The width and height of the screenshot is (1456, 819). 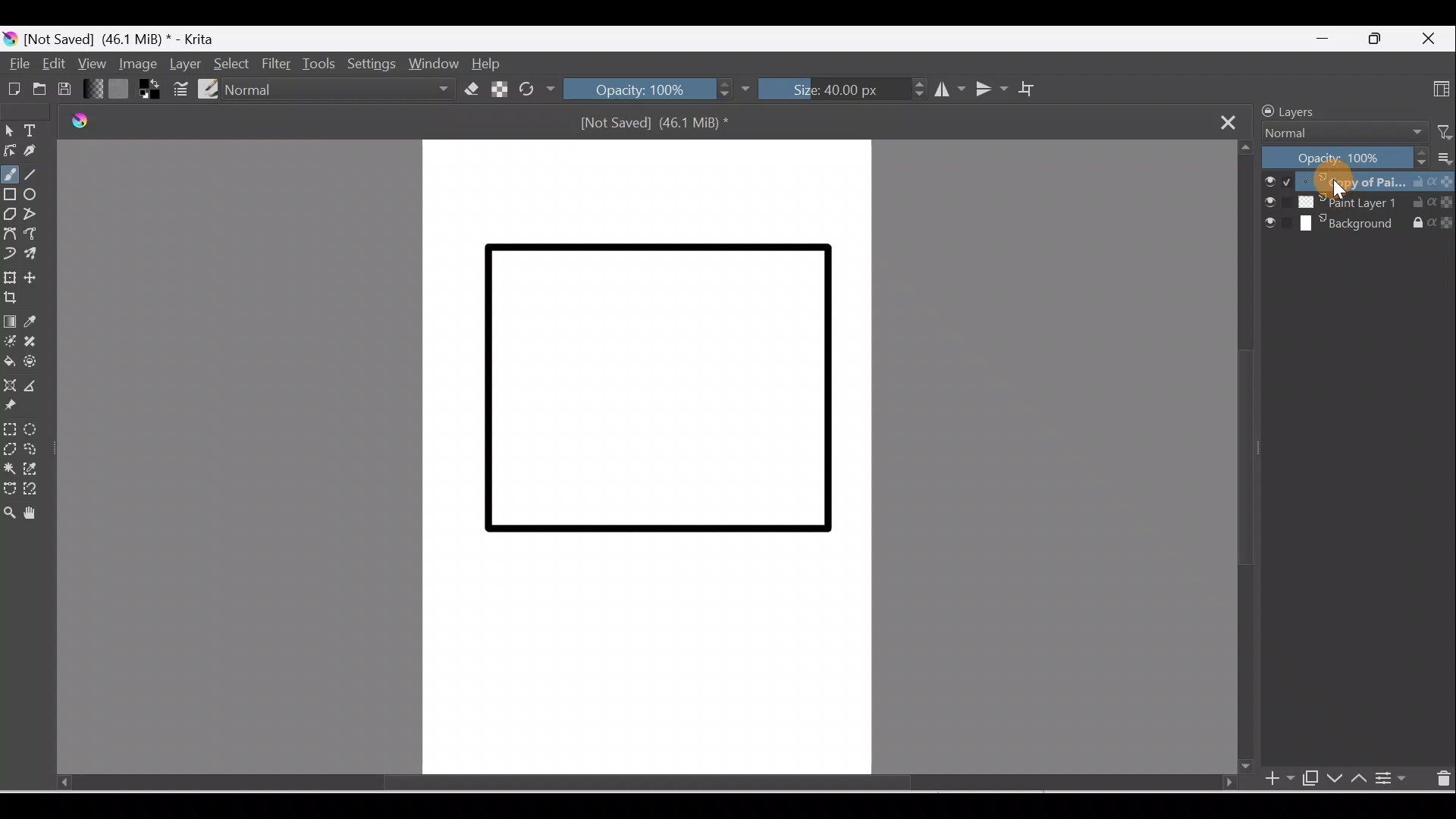 I want to click on Pan tool, so click(x=34, y=513).